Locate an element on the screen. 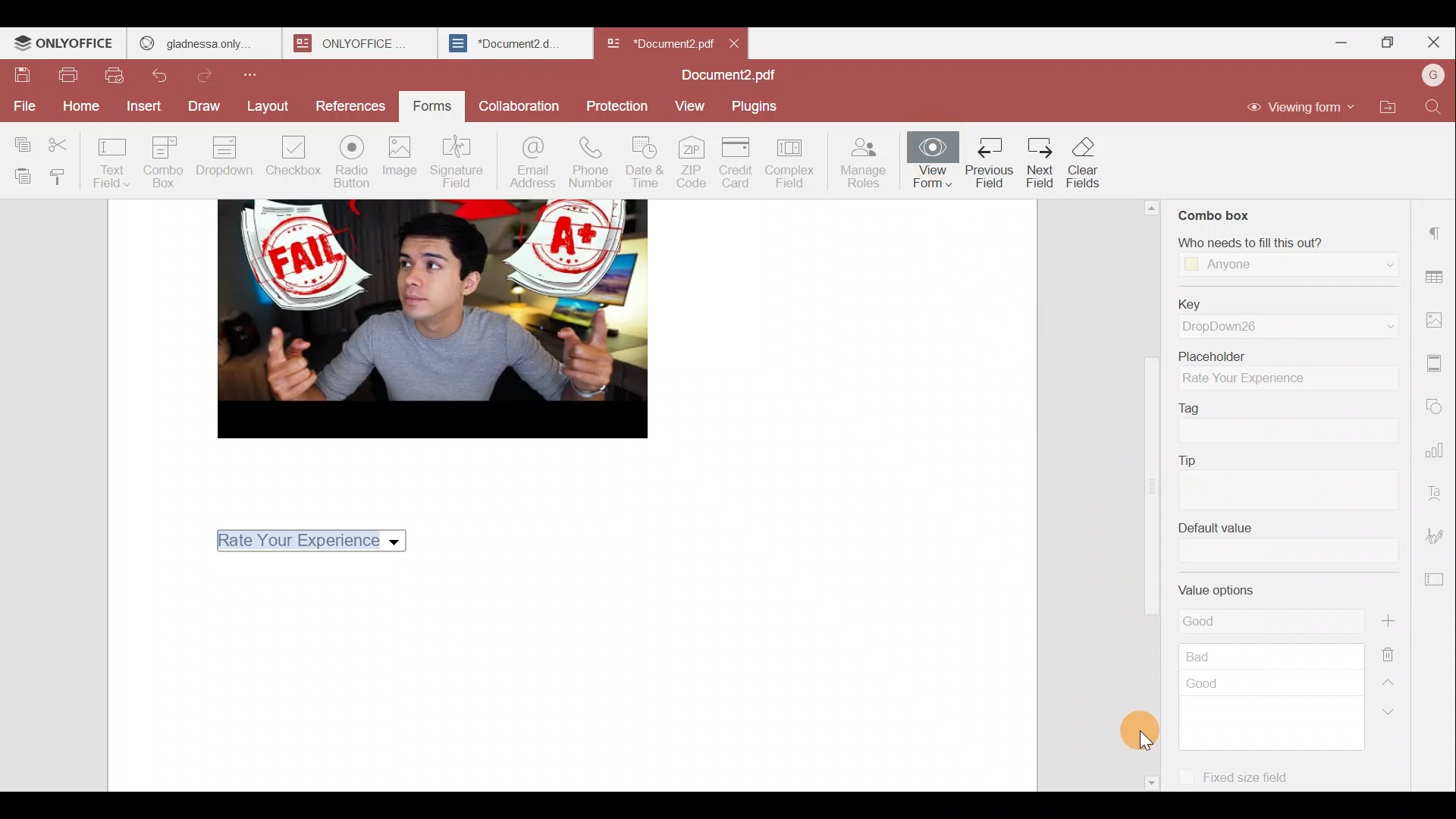  Copy style is located at coordinates (65, 177).